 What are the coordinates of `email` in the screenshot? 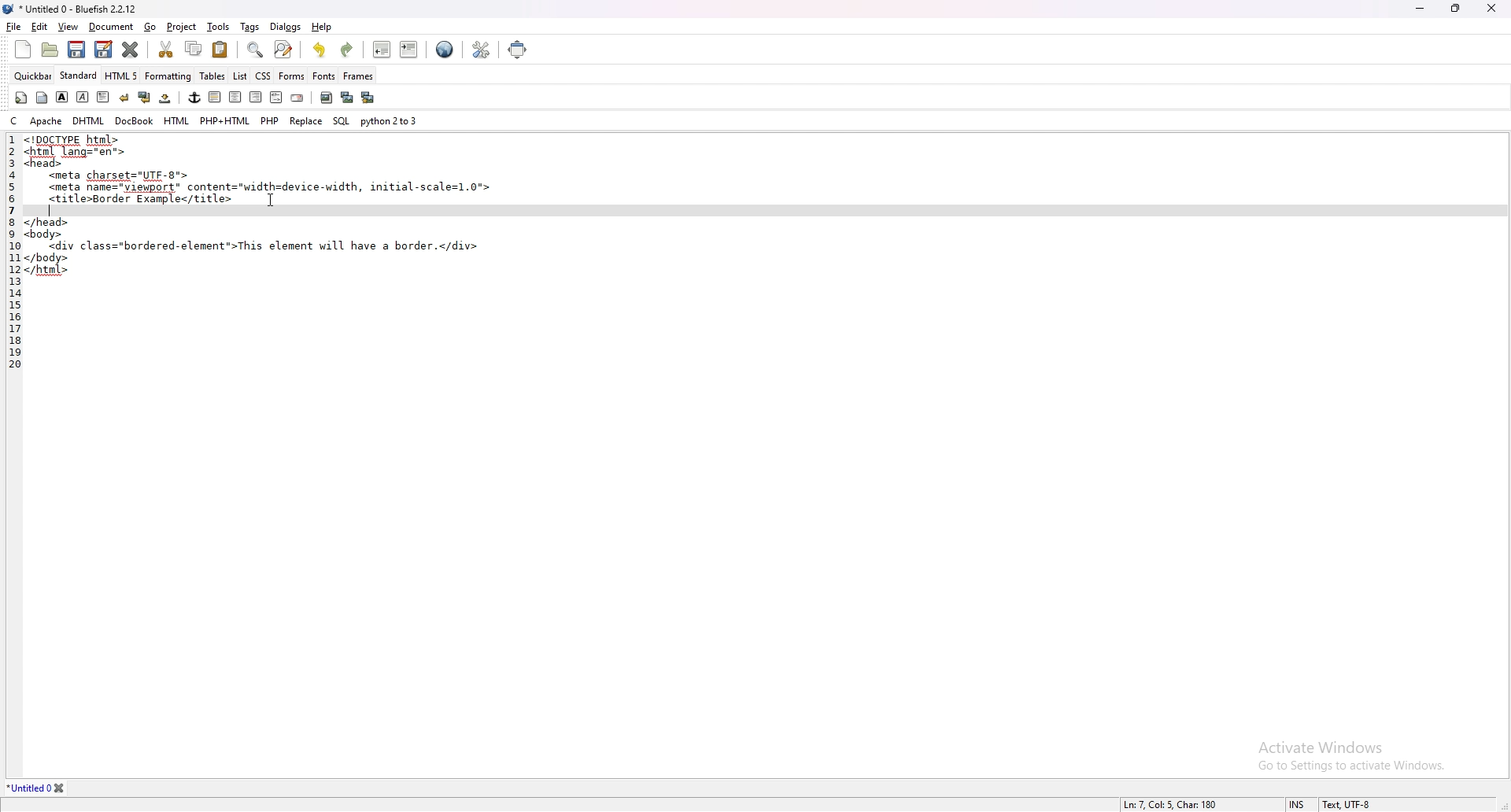 It's located at (297, 98).